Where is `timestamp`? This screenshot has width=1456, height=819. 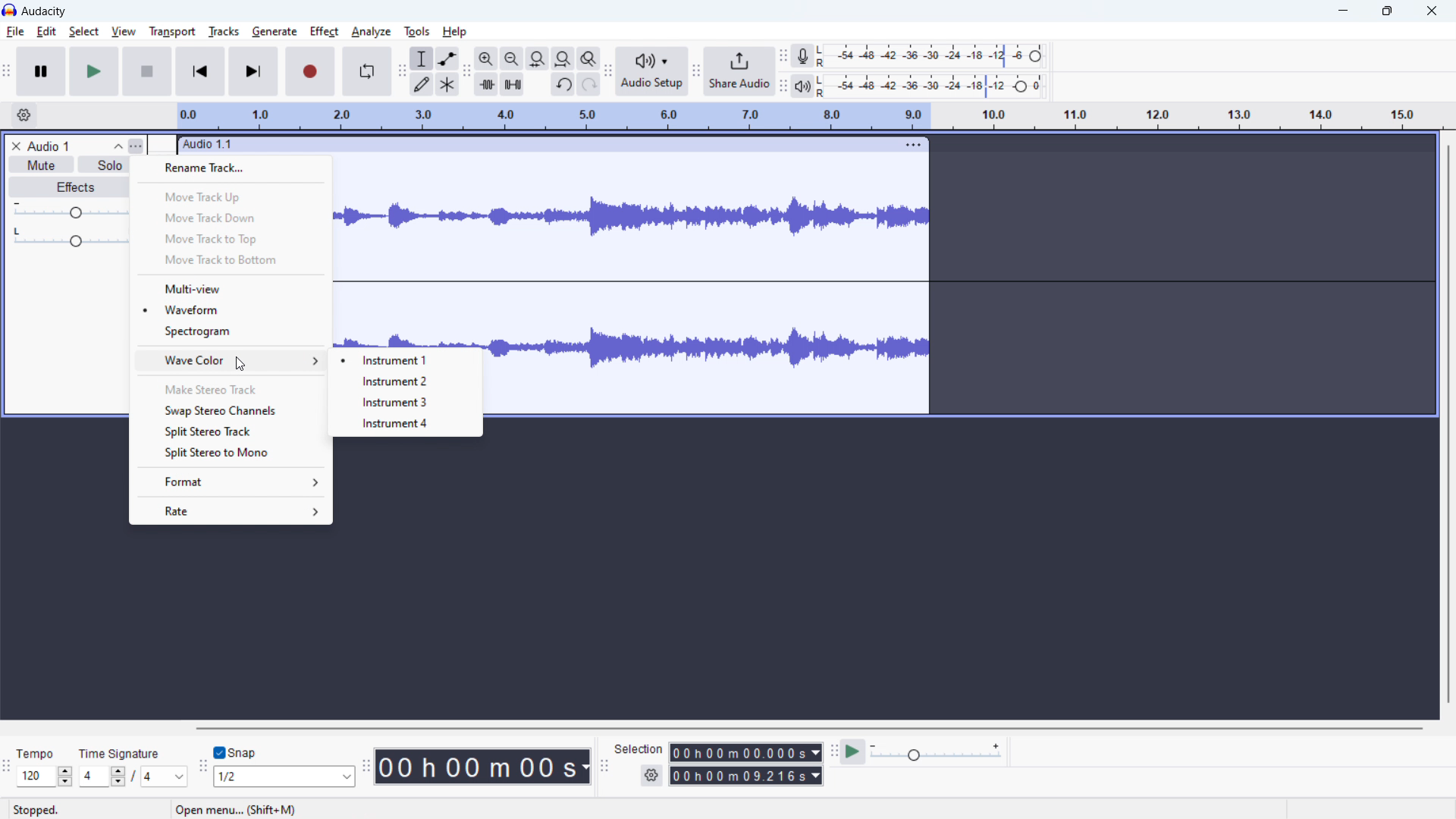
timestamp is located at coordinates (482, 766).